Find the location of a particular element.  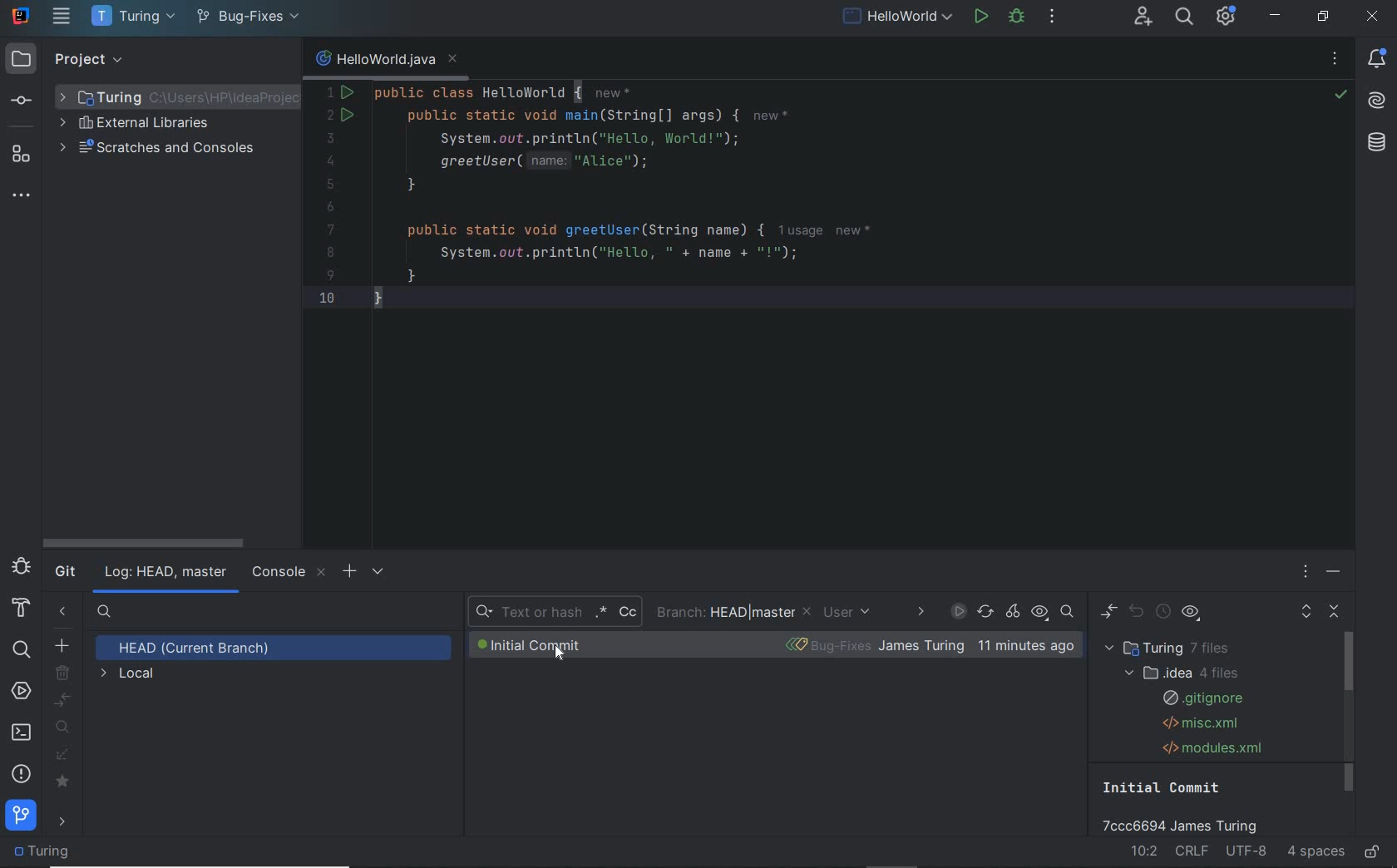

expand is located at coordinates (200, 60).